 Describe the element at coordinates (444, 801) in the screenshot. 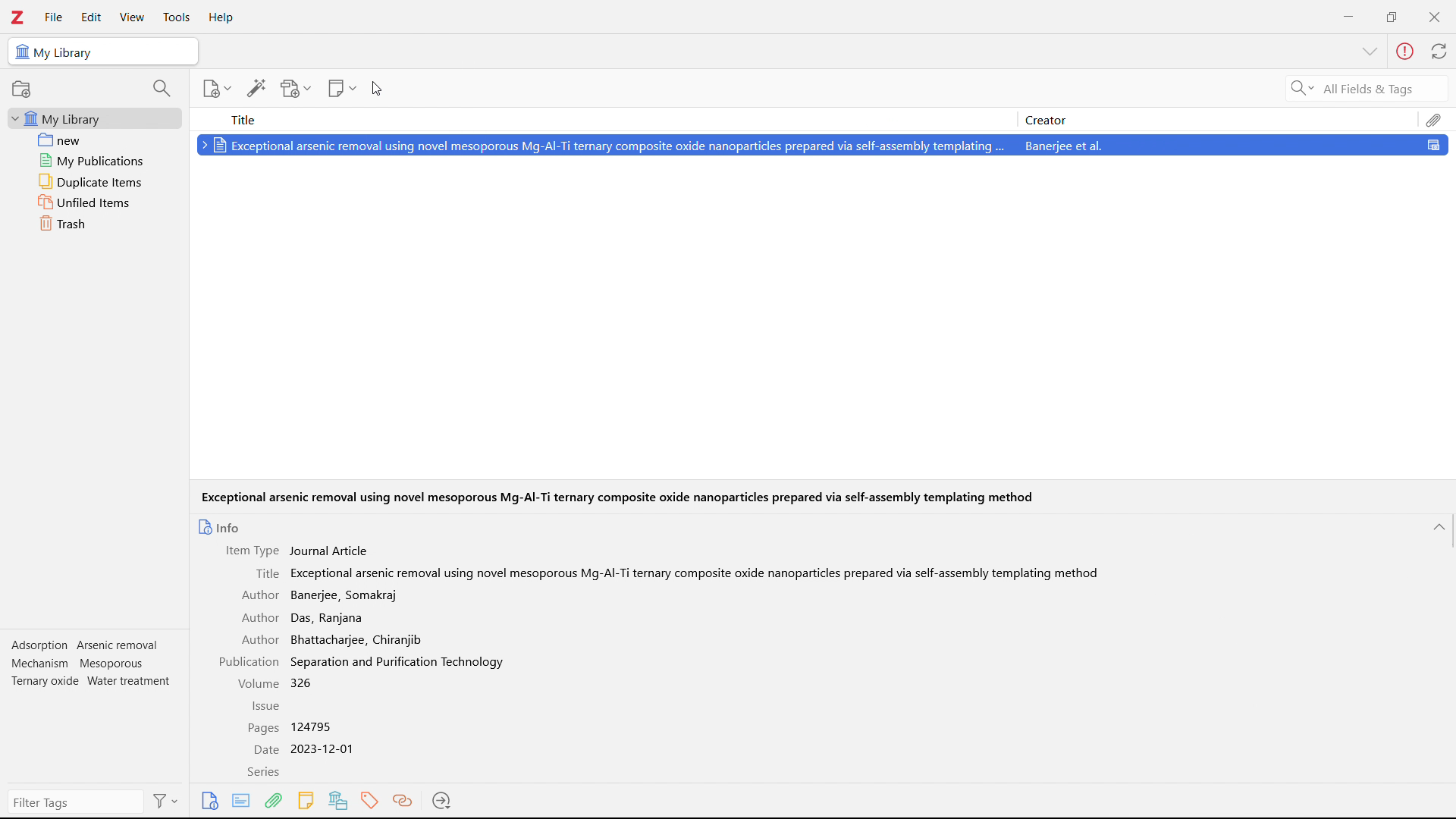

I see `locate` at that location.